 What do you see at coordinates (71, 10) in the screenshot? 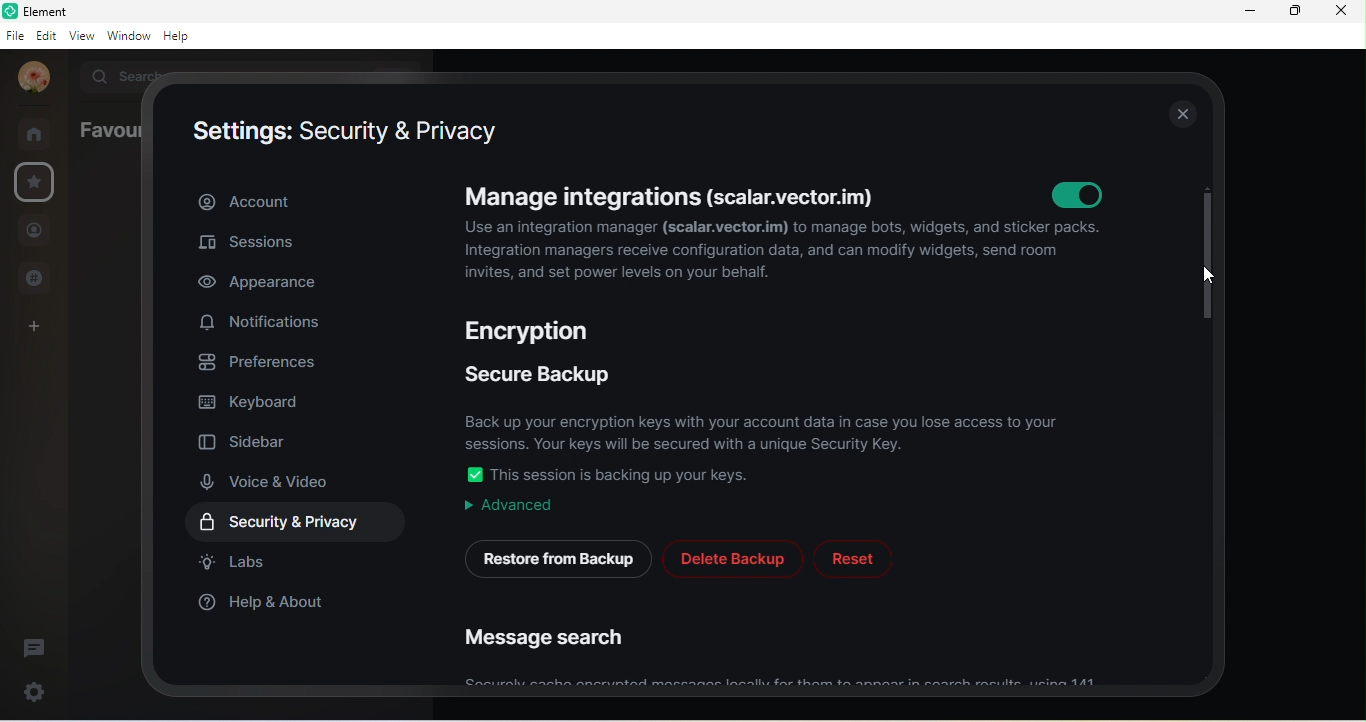
I see `element b room` at bounding box center [71, 10].